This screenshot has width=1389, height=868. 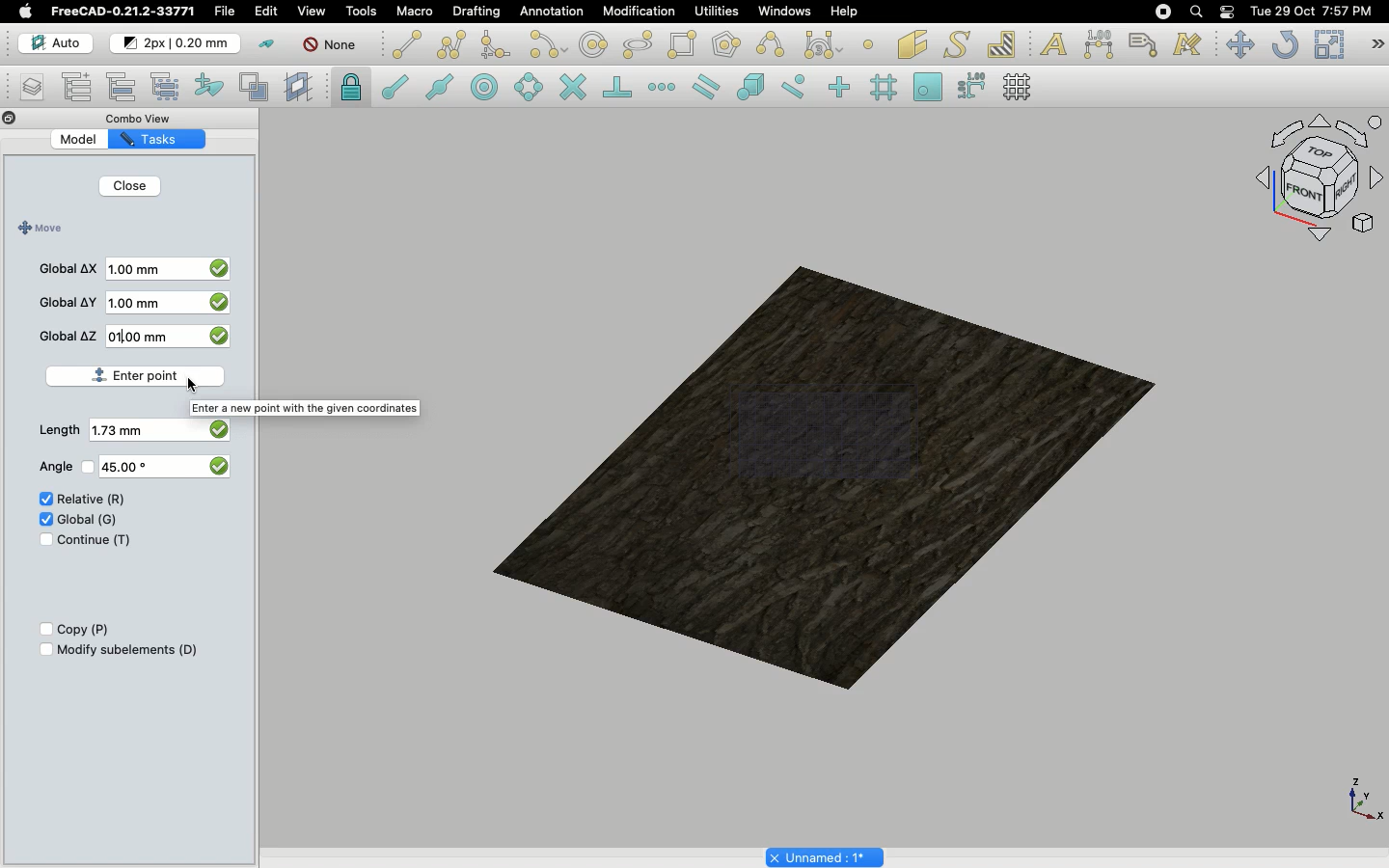 What do you see at coordinates (789, 14) in the screenshot?
I see `Windows` at bounding box center [789, 14].